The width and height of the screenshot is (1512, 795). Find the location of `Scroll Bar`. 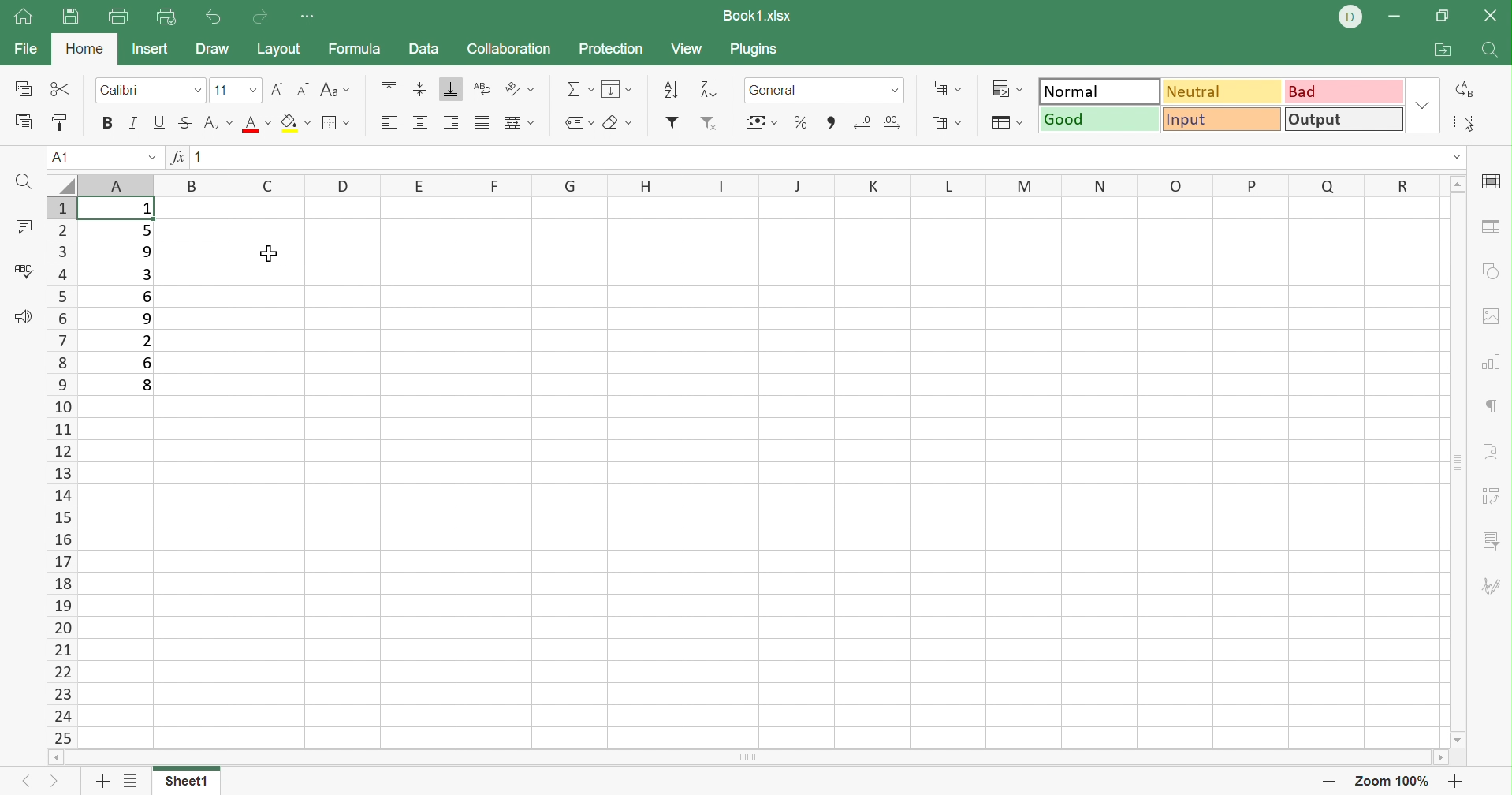

Scroll Bar is located at coordinates (1462, 461).